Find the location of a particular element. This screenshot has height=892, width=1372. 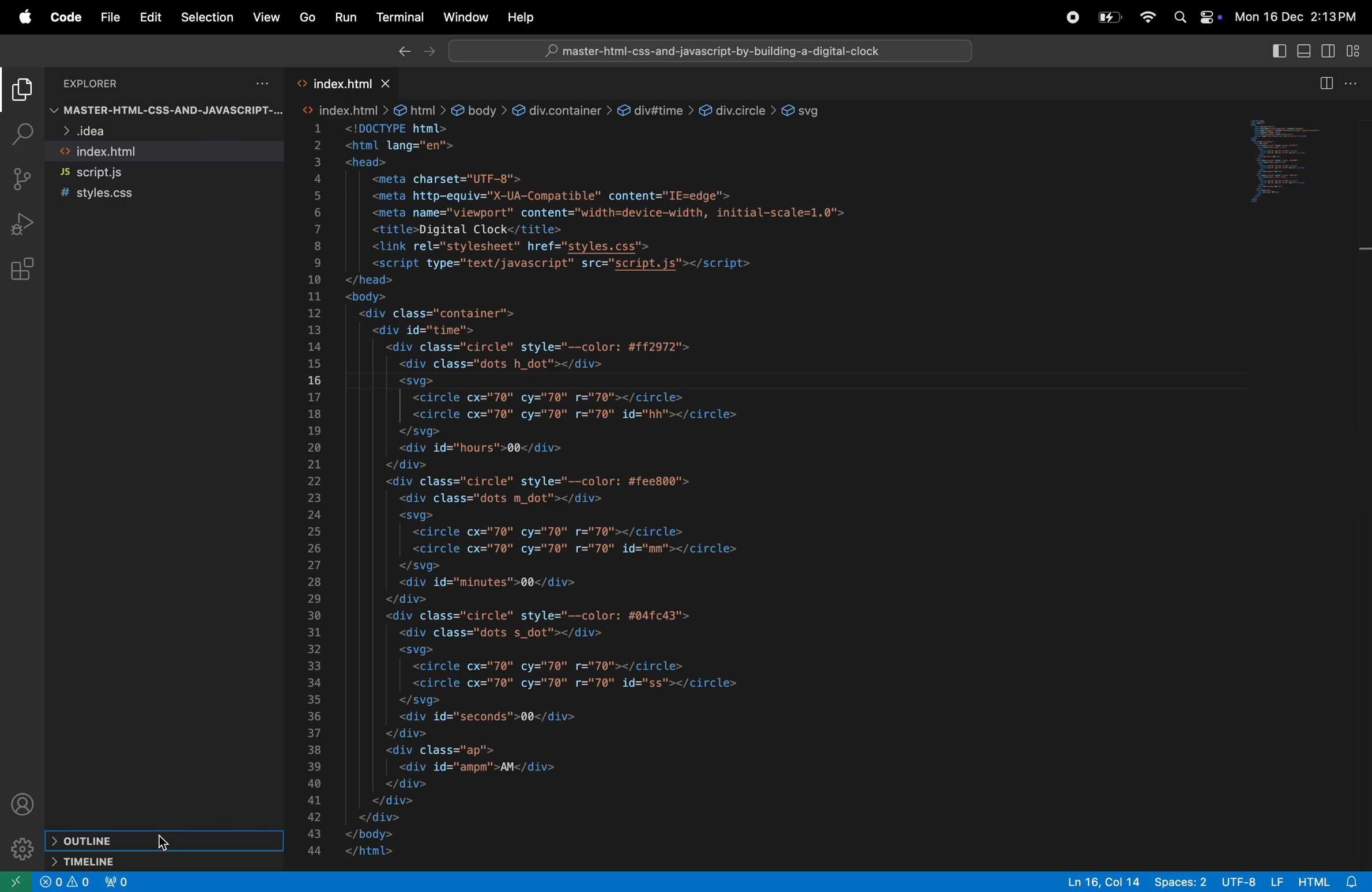

outline is located at coordinates (161, 840).